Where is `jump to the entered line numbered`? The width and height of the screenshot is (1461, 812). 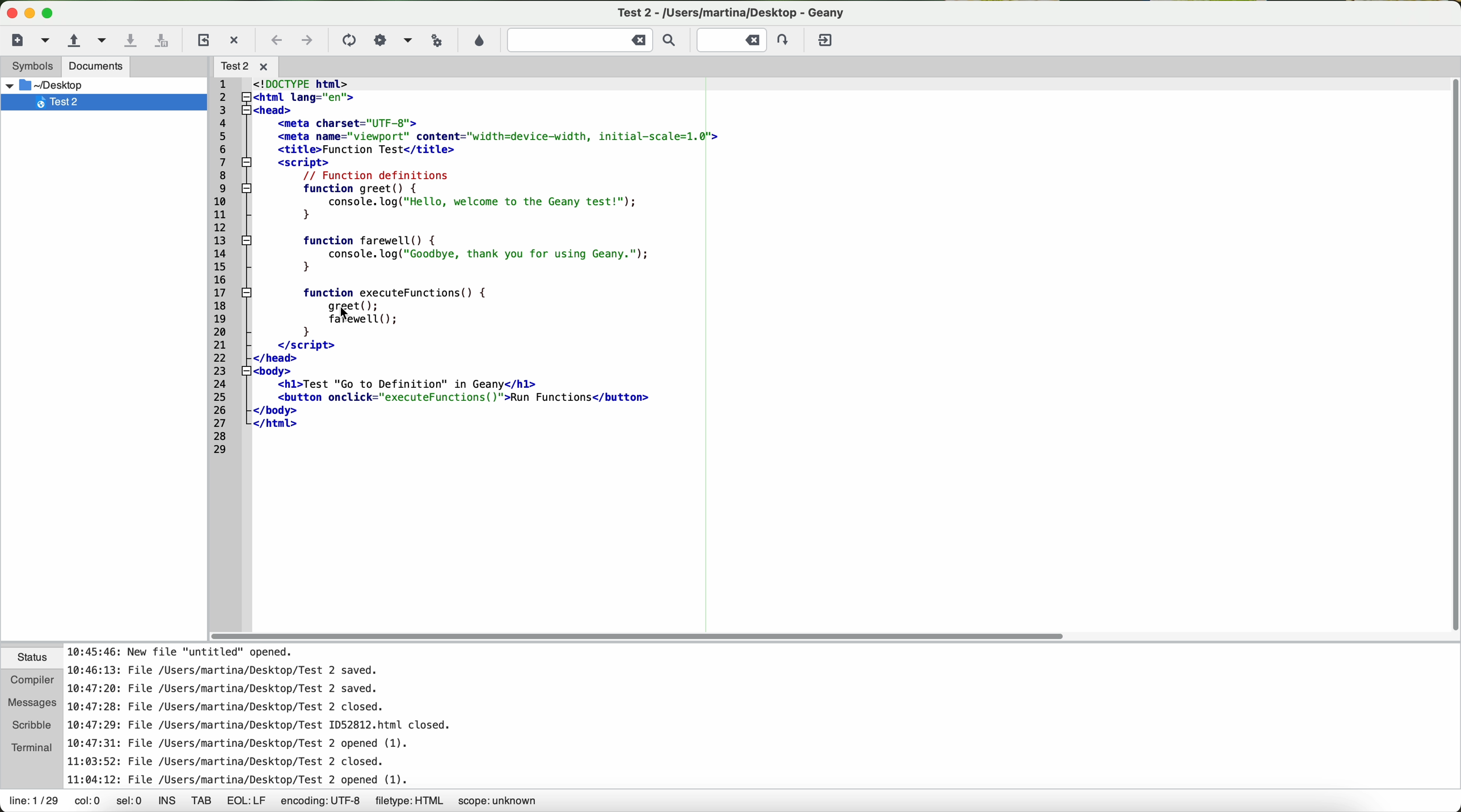 jump to the entered line numbered is located at coordinates (746, 40).